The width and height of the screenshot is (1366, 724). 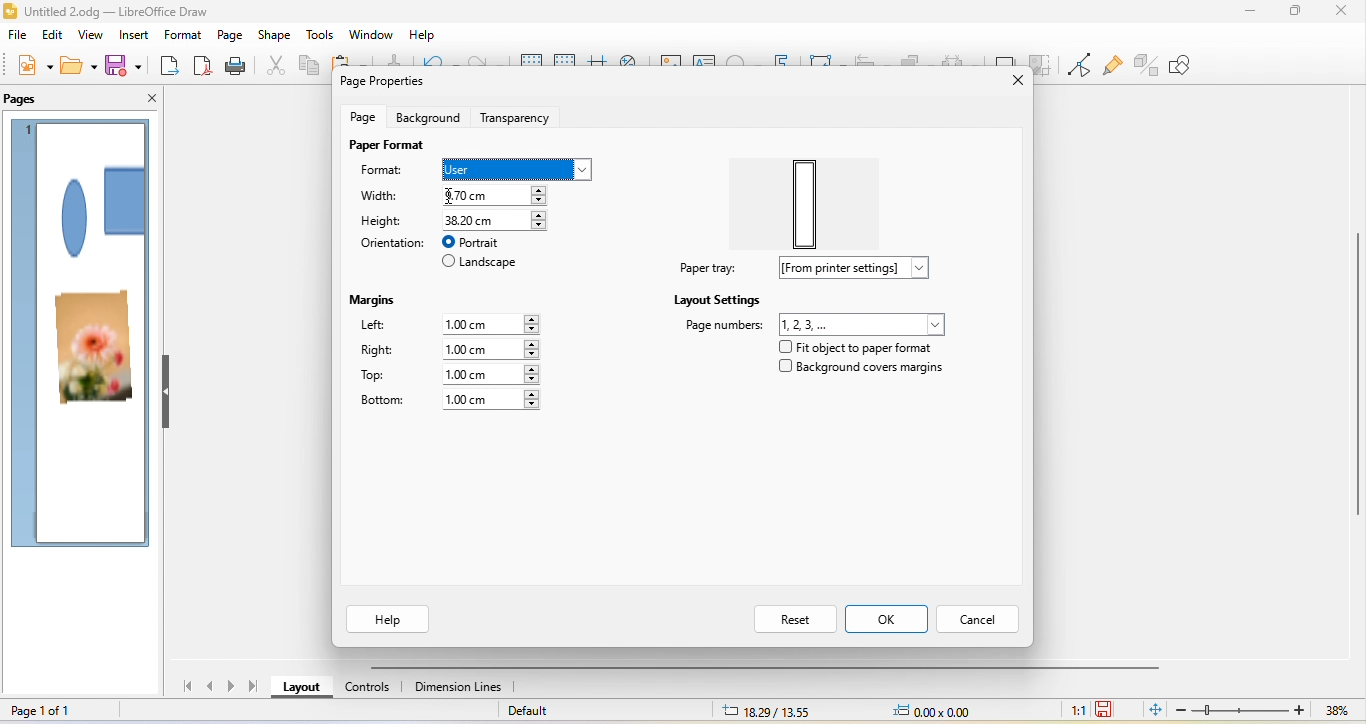 What do you see at coordinates (1080, 63) in the screenshot?
I see `toggle point edit mode` at bounding box center [1080, 63].